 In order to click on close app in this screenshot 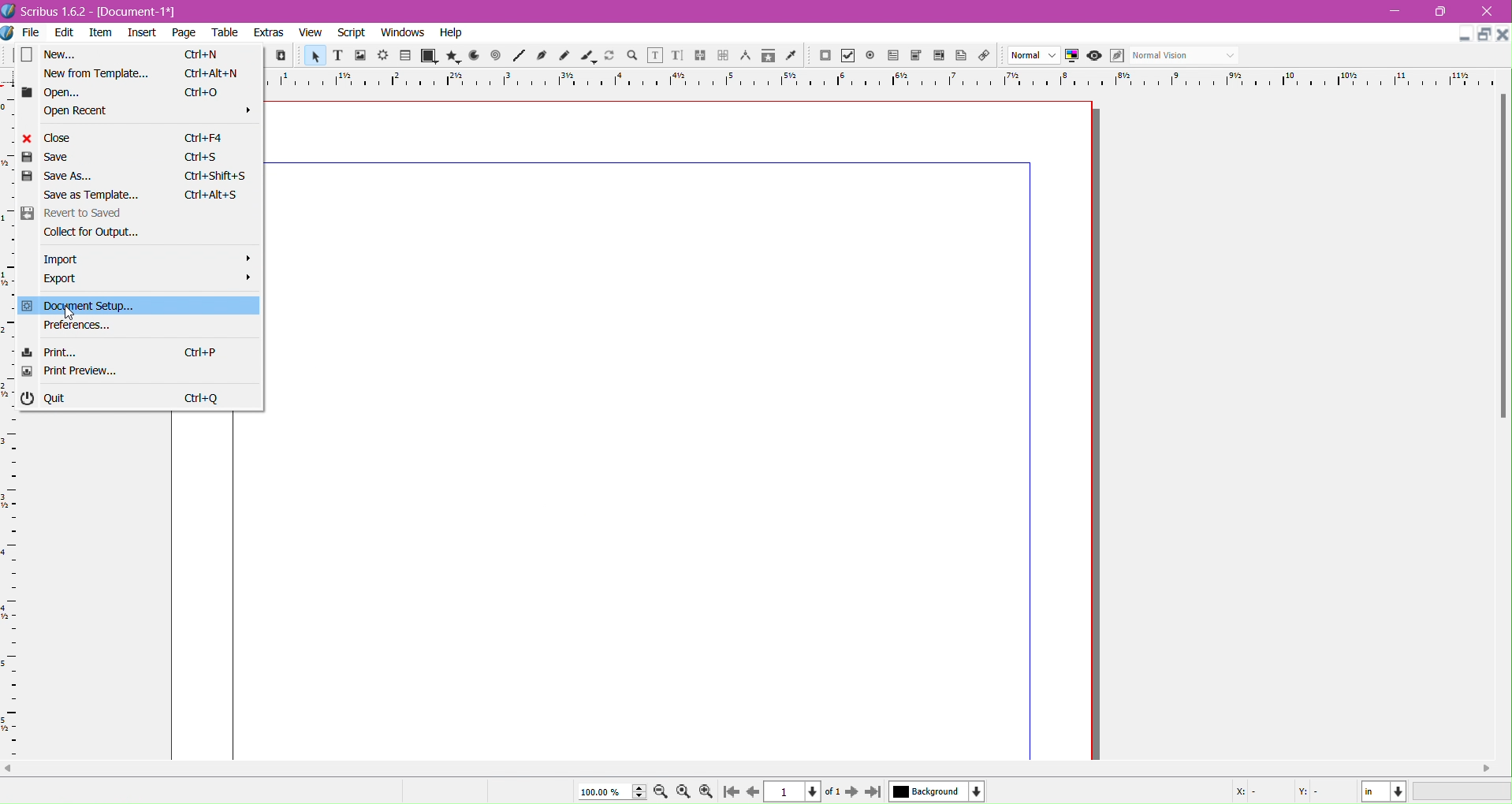, I will do `click(1492, 10)`.